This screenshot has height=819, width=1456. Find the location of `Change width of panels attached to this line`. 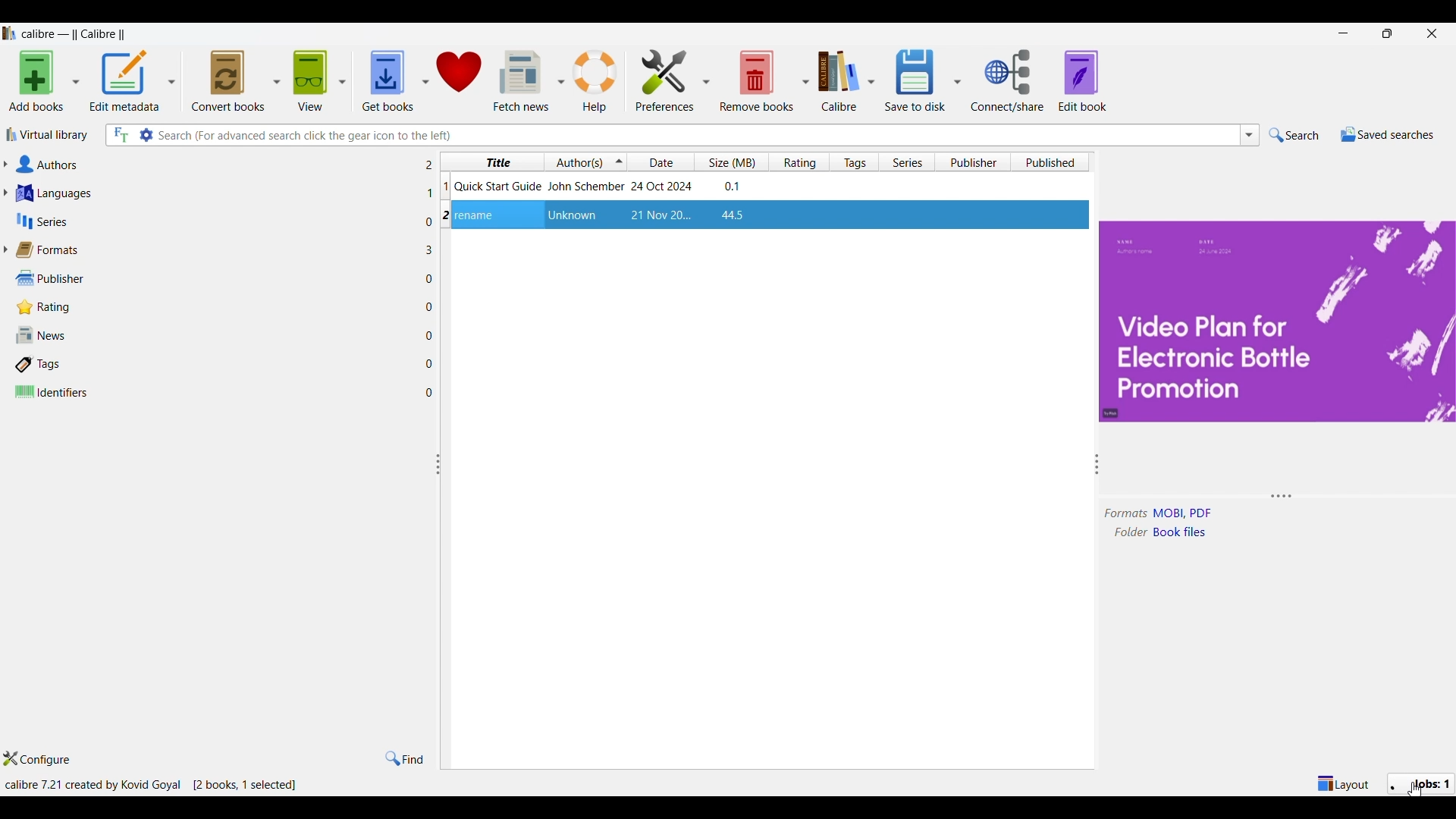

Change width of panels attached to this line is located at coordinates (1091, 580).